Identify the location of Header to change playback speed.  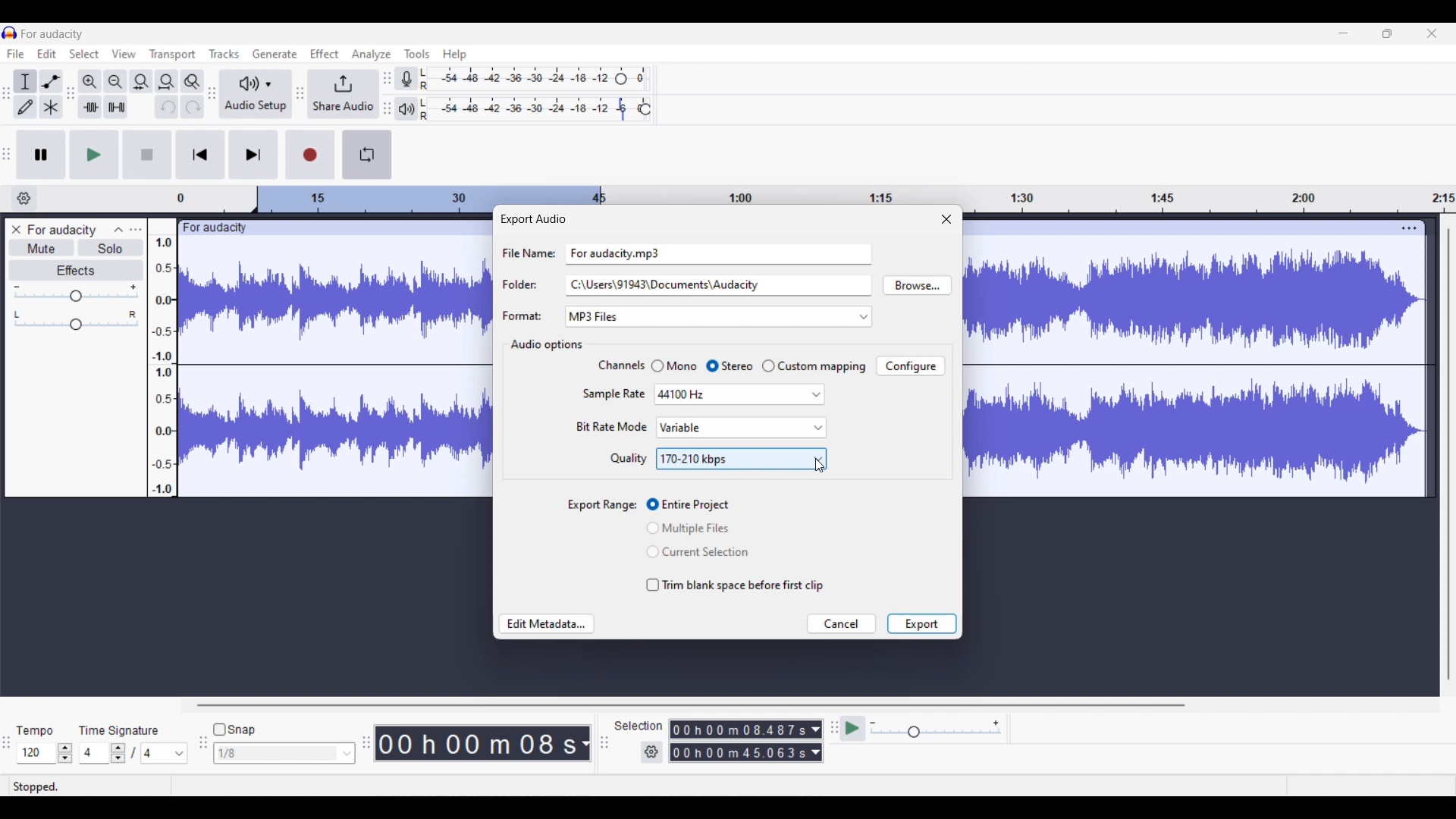
(645, 109).